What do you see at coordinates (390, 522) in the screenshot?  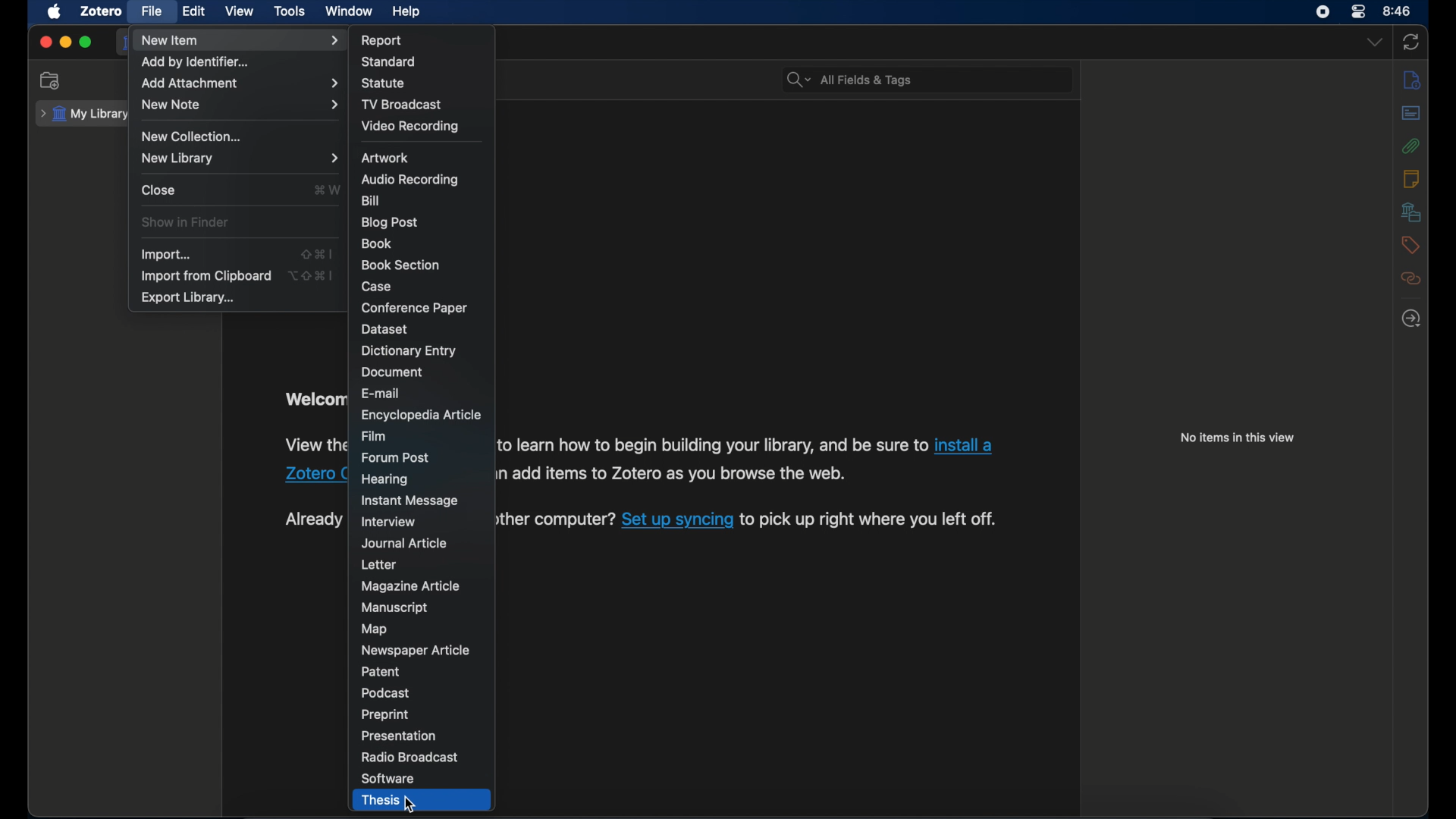 I see `interview` at bounding box center [390, 522].